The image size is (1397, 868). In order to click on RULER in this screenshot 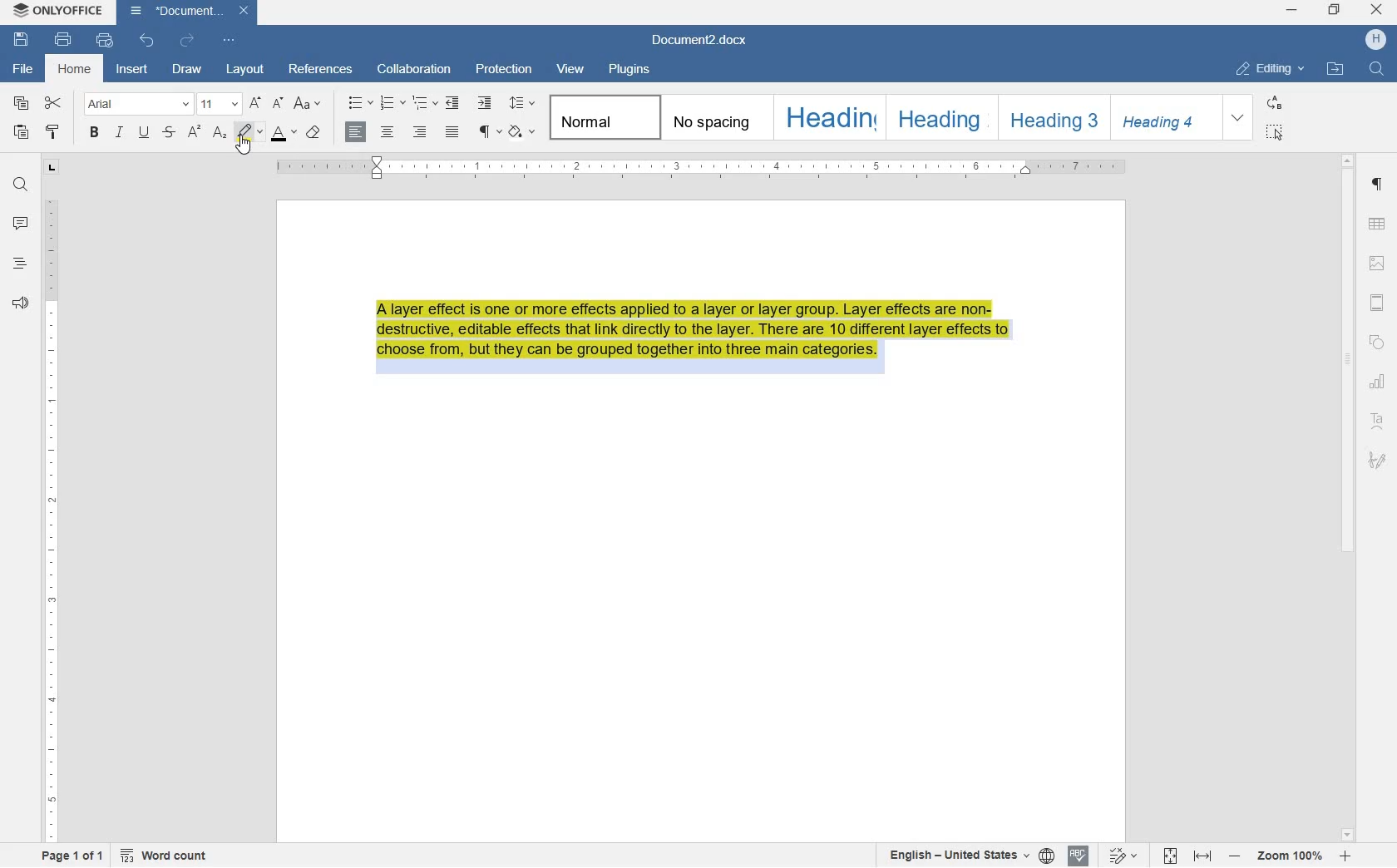, I will do `click(694, 169)`.